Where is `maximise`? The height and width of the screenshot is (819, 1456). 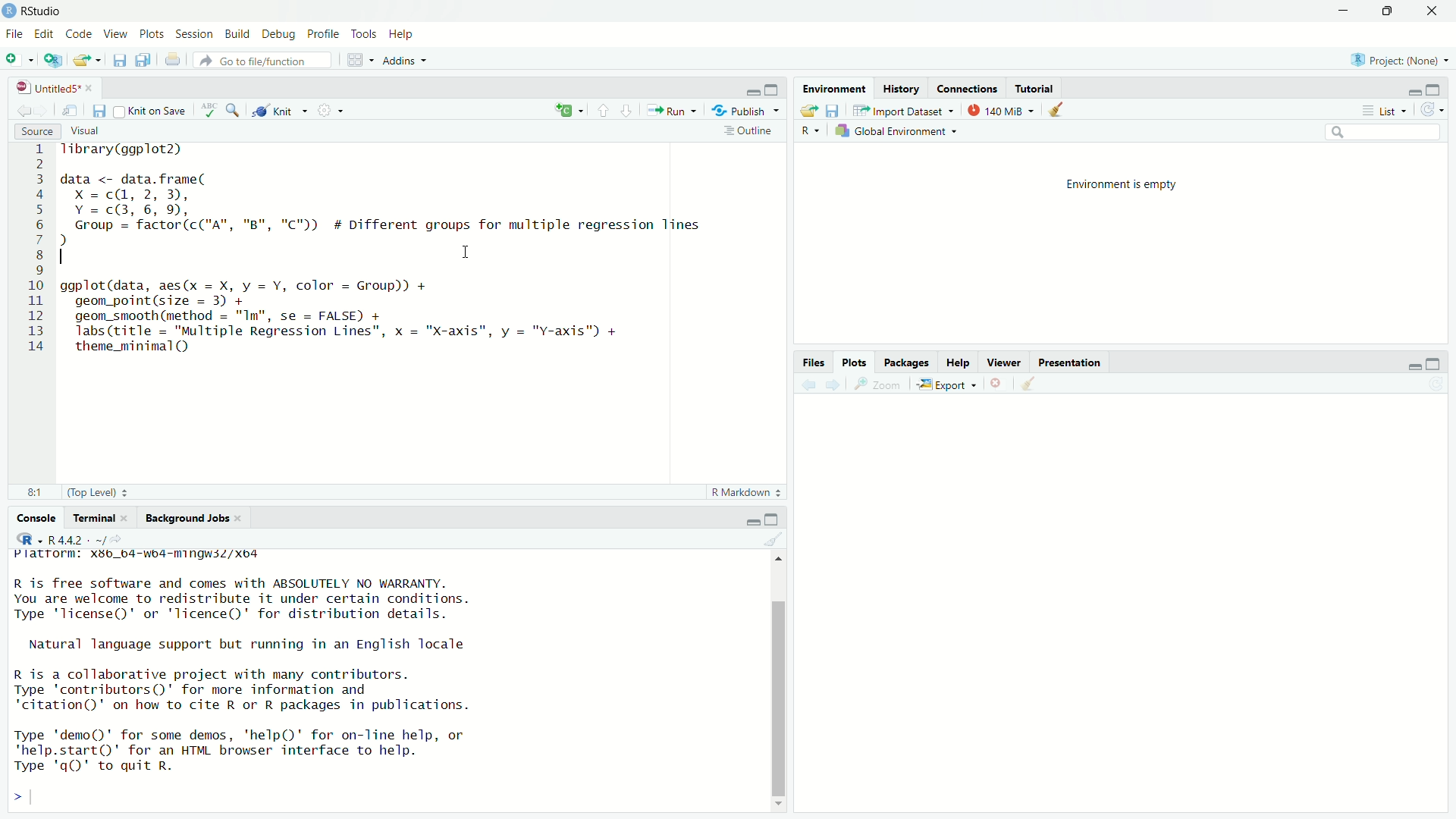
maximise is located at coordinates (780, 517).